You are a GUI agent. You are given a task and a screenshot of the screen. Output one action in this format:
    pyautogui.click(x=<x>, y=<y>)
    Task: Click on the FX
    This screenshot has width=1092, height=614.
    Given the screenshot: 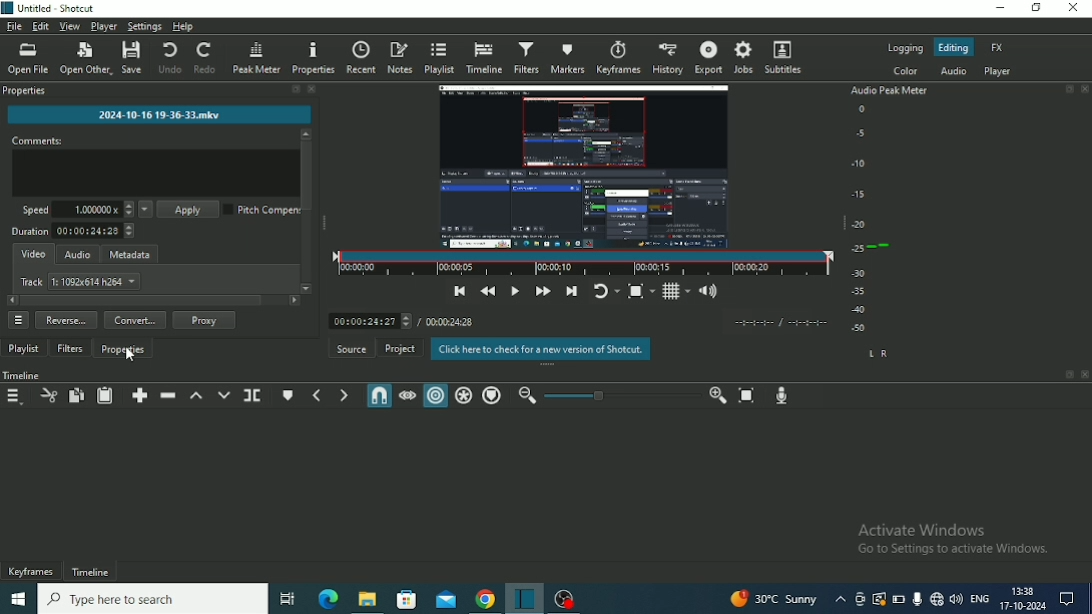 What is the action you would take?
    pyautogui.click(x=997, y=47)
    